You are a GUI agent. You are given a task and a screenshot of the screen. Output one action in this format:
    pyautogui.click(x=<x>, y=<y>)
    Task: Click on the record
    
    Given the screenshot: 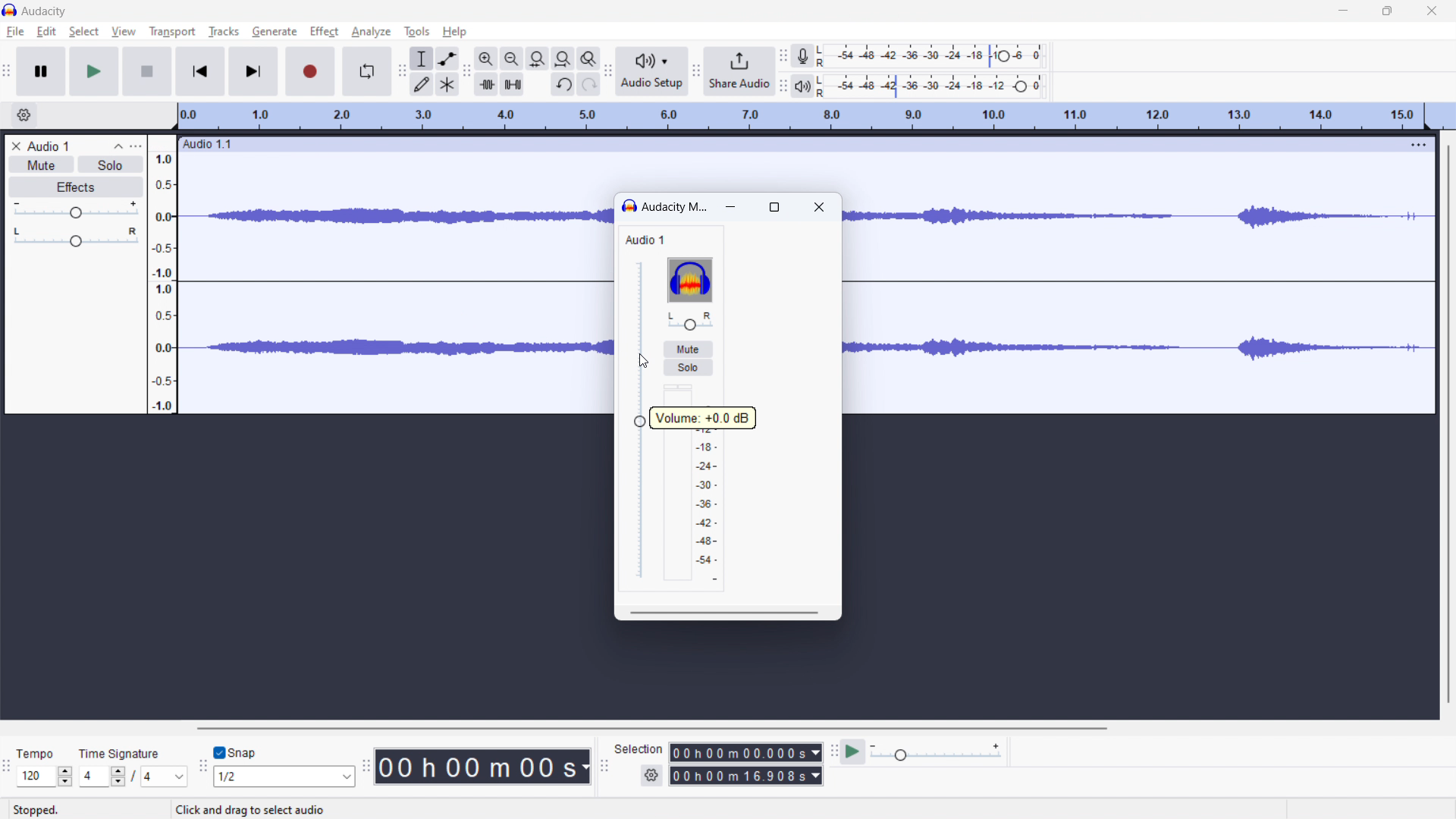 What is the action you would take?
    pyautogui.click(x=309, y=71)
    